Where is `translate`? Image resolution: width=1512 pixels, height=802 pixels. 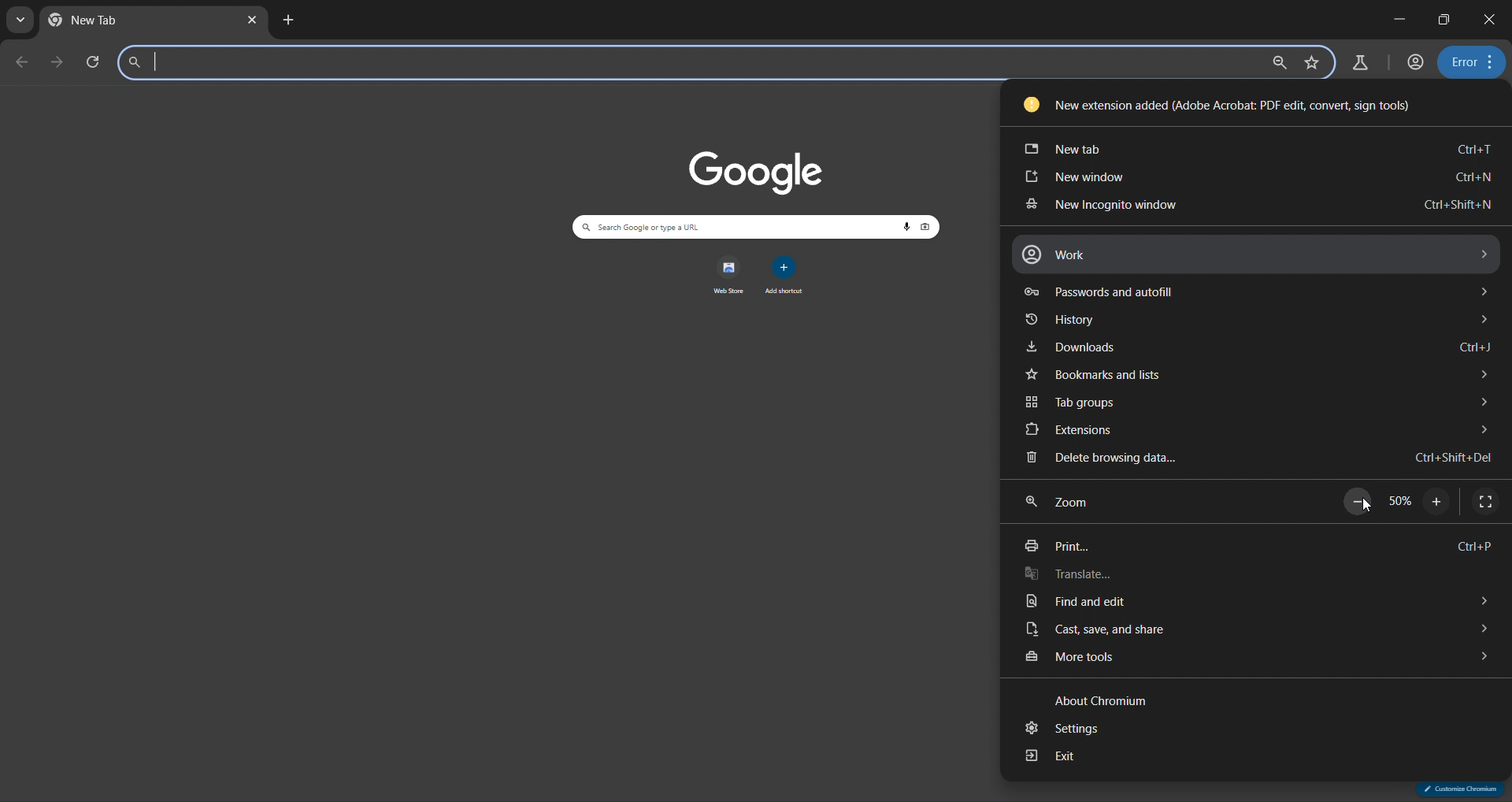 translate is located at coordinates (1260, 572).